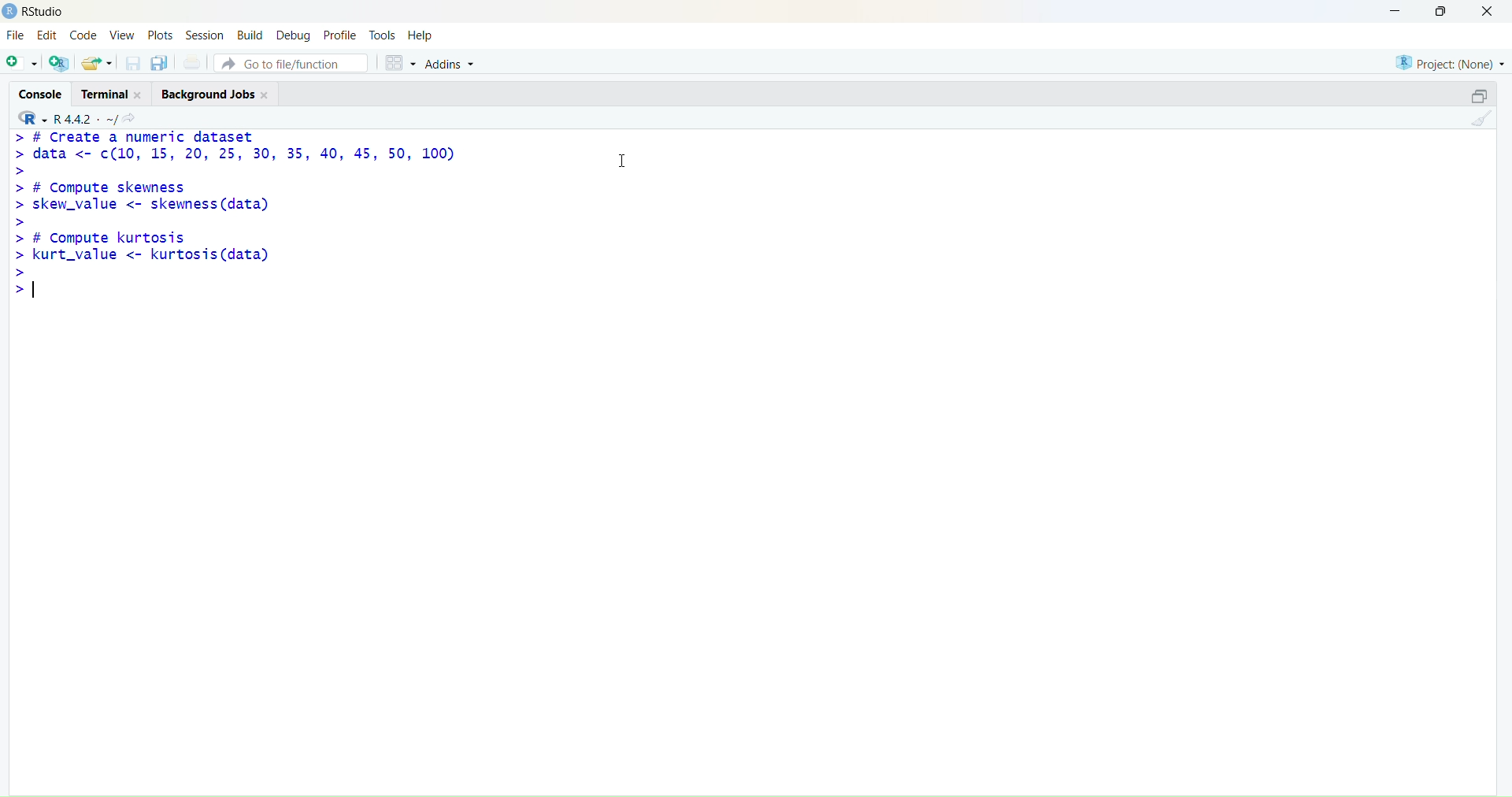 Image resolution: width=1512 pixels, height=797 pixels. What do you see at coordinates (1478, 124) in the screenshot?
I see `Clear Console (Ctrl + L)` at bounding box center [1478, 124].